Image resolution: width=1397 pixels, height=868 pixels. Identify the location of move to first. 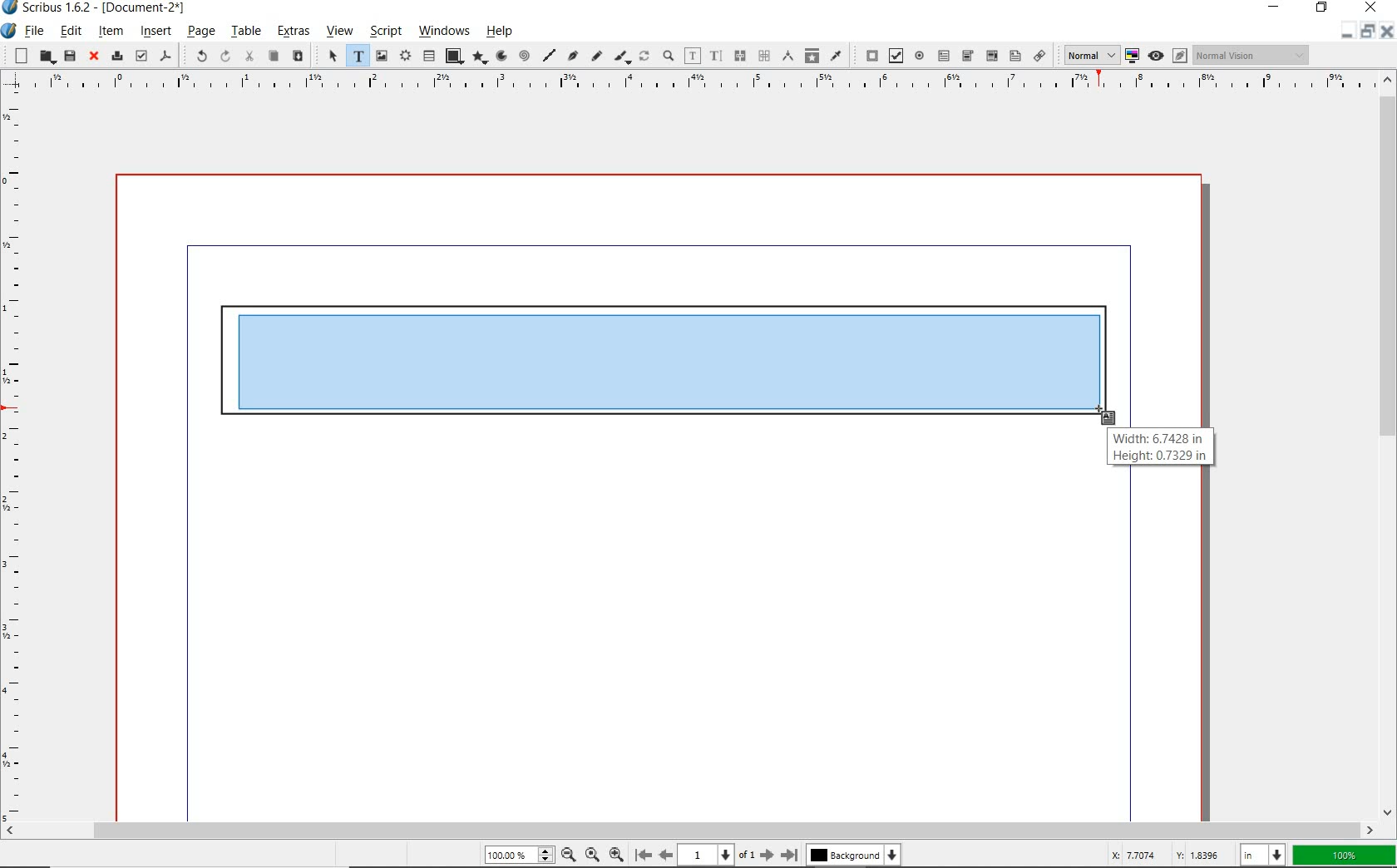
(642, 854).